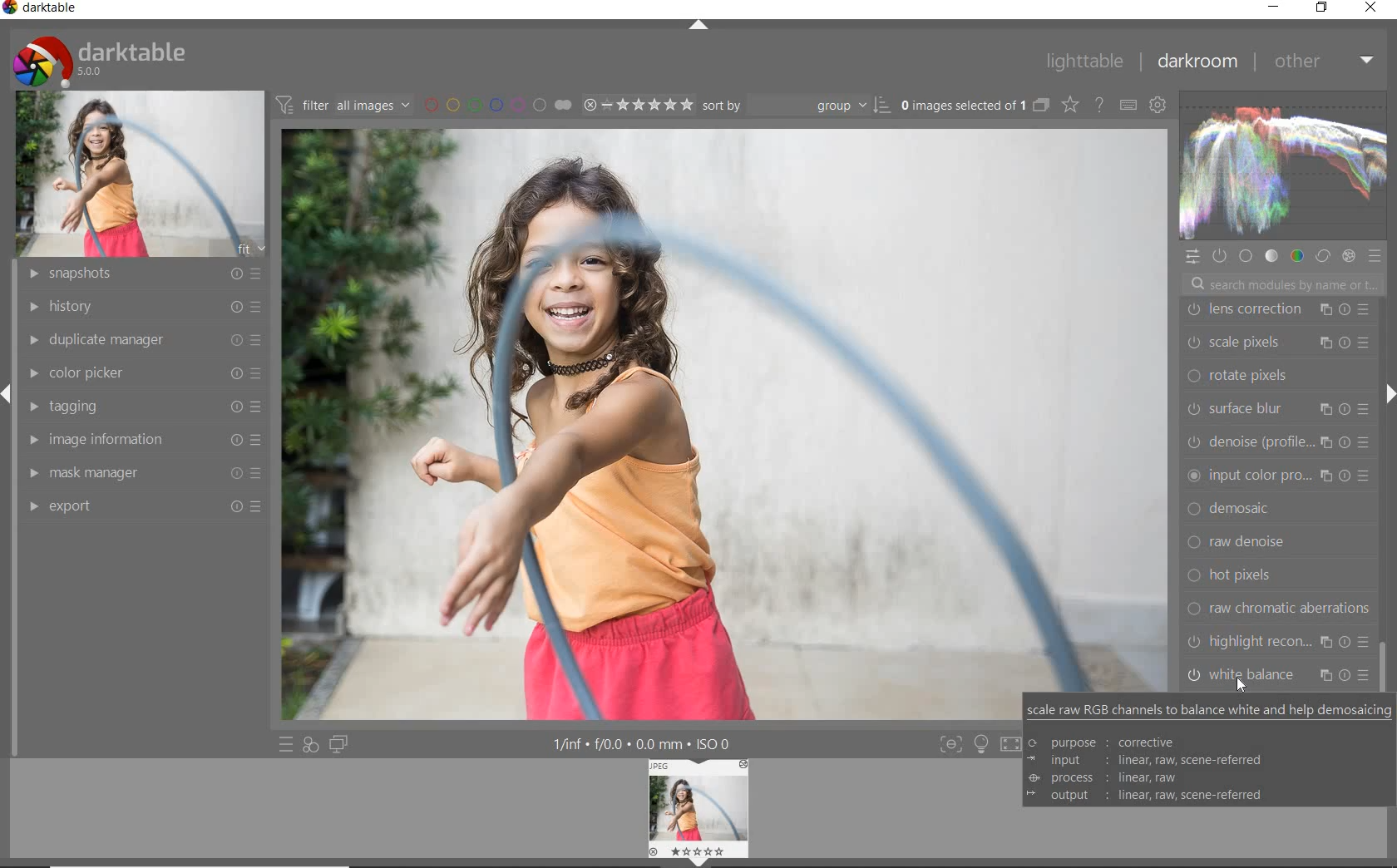 This screenshot has height=868, width=1397. I want to click on quick access panel, so click(1193, 257).